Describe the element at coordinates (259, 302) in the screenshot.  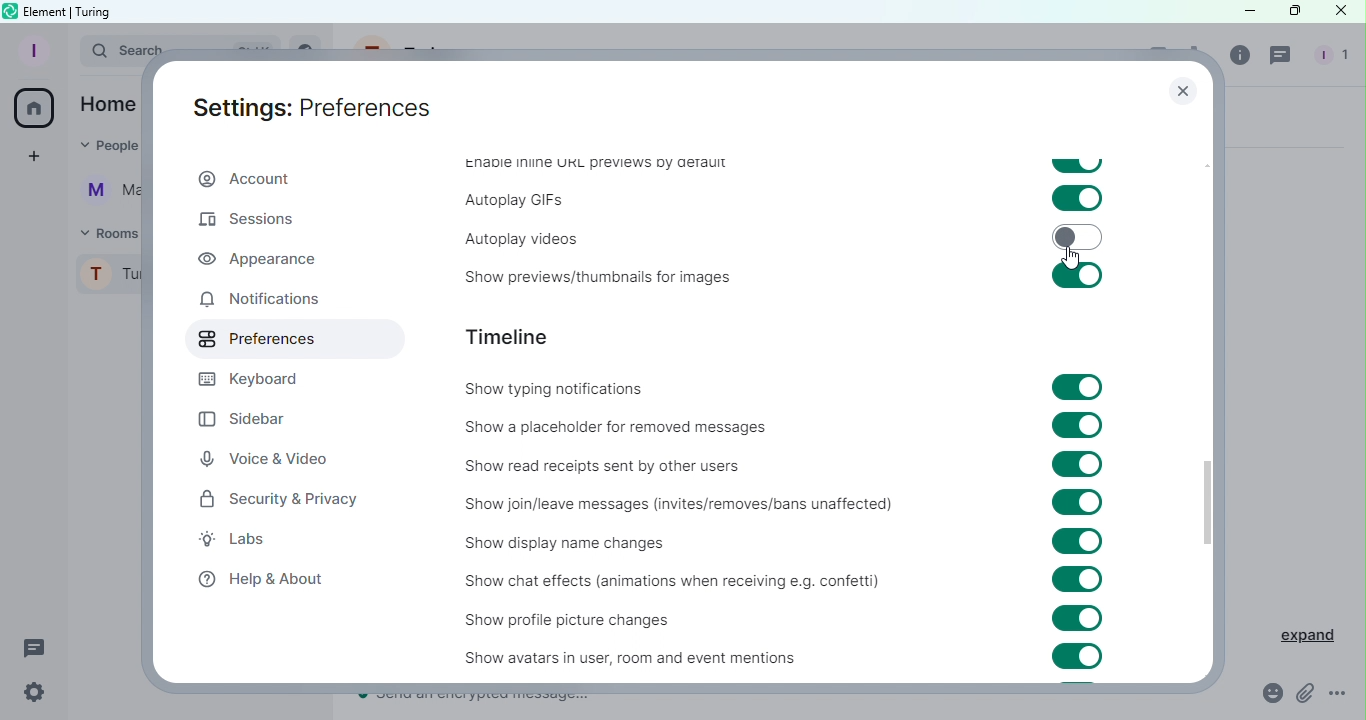
I see `Notifications` at that location.